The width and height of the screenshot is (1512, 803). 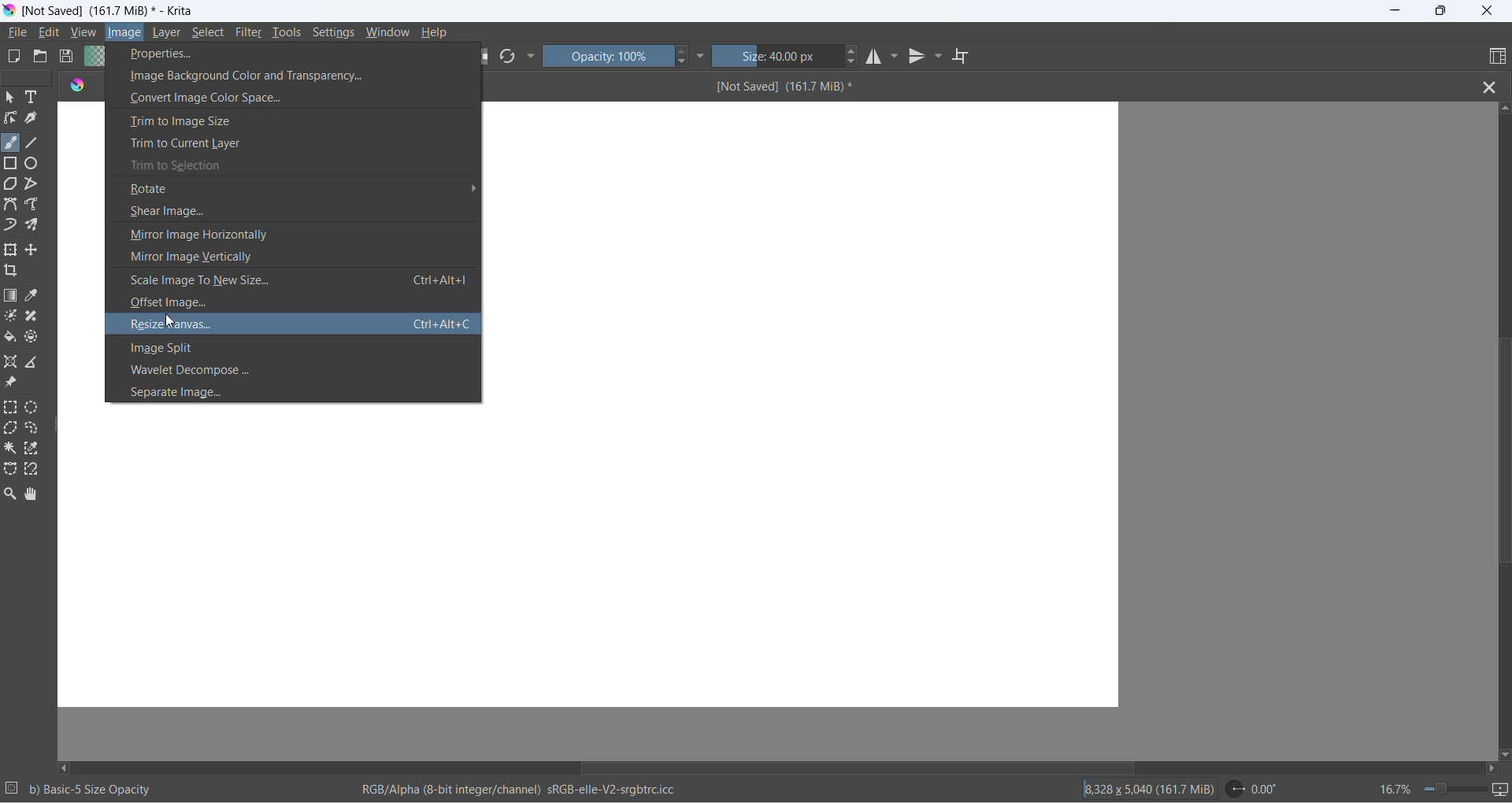 I want to click on line tool, so click(x=35, y=140).